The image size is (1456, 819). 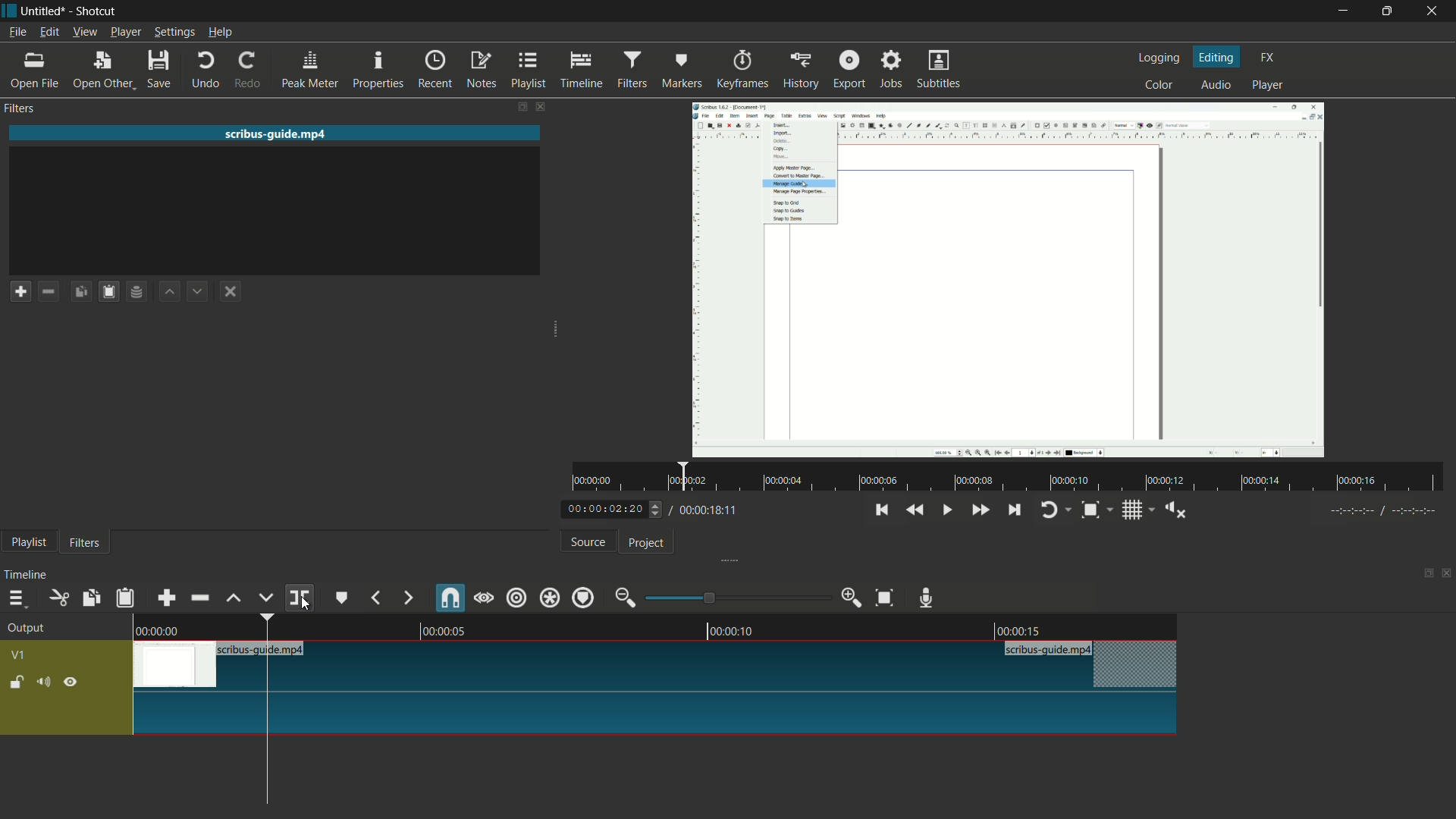 I want to click on view menu, so click(x=86, y=32).